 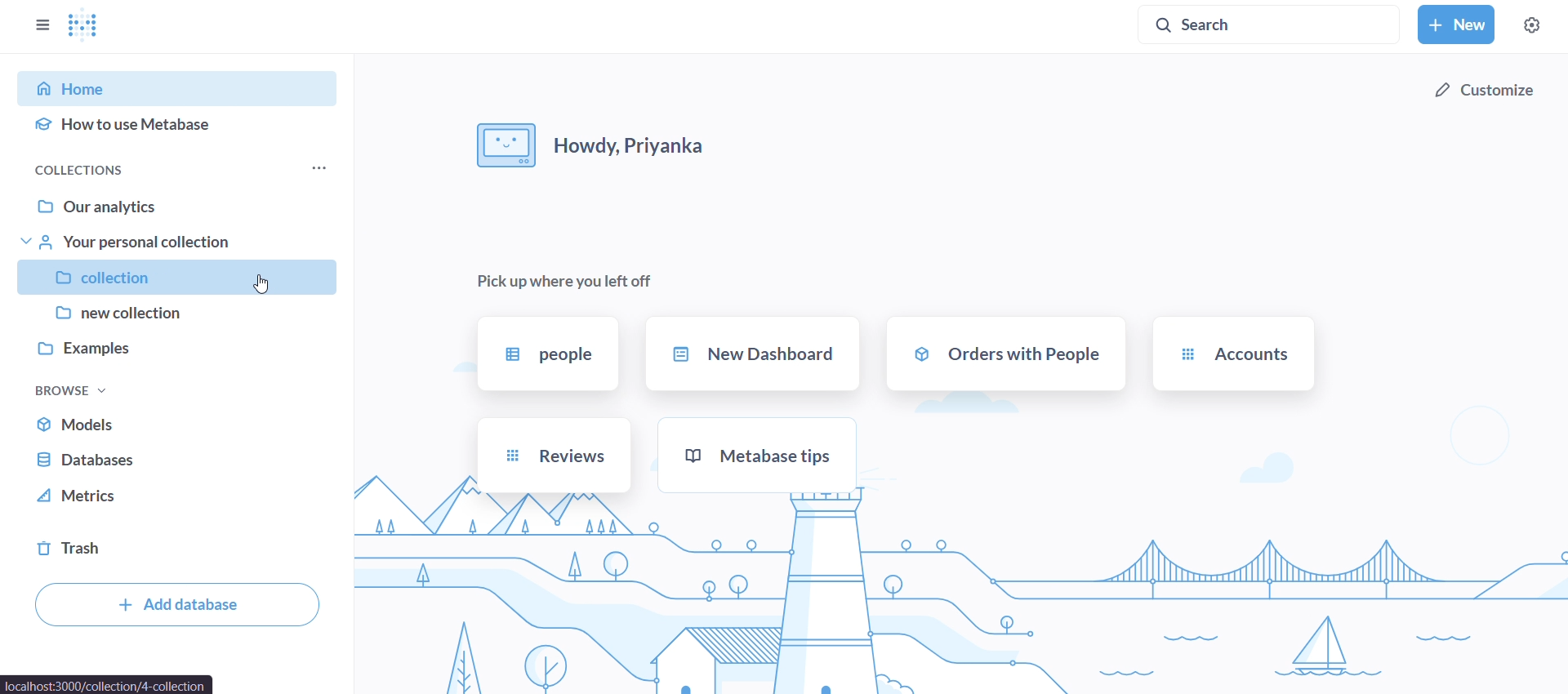 What do you see at coordinates (179, 277) in the screenshot?
I see `collection` at bounding box center [179, 277].